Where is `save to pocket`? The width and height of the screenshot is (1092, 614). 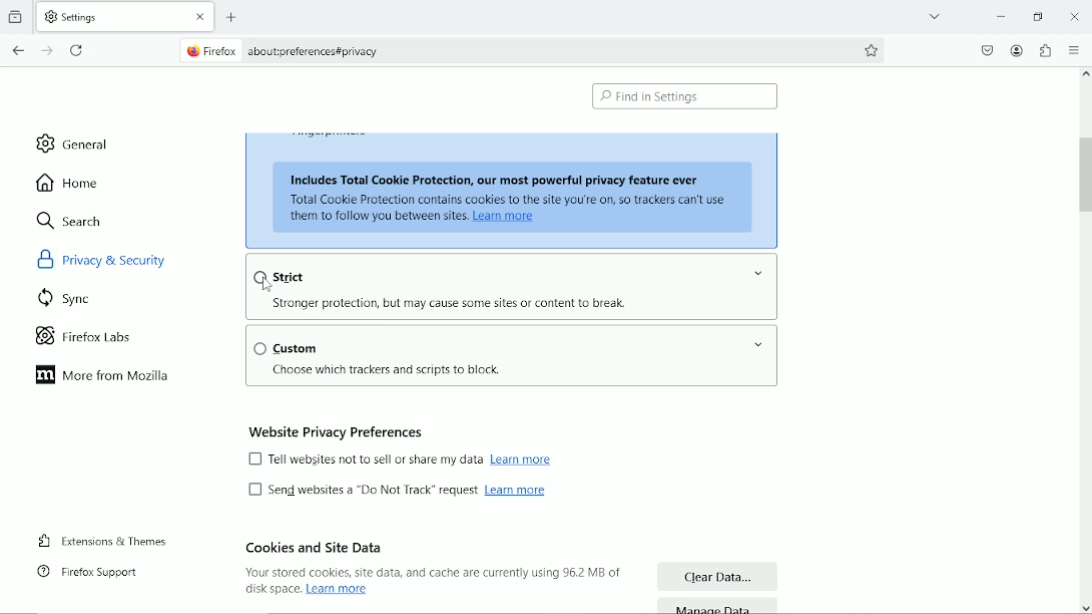 save to pocket is located at coordinates (987, 50).